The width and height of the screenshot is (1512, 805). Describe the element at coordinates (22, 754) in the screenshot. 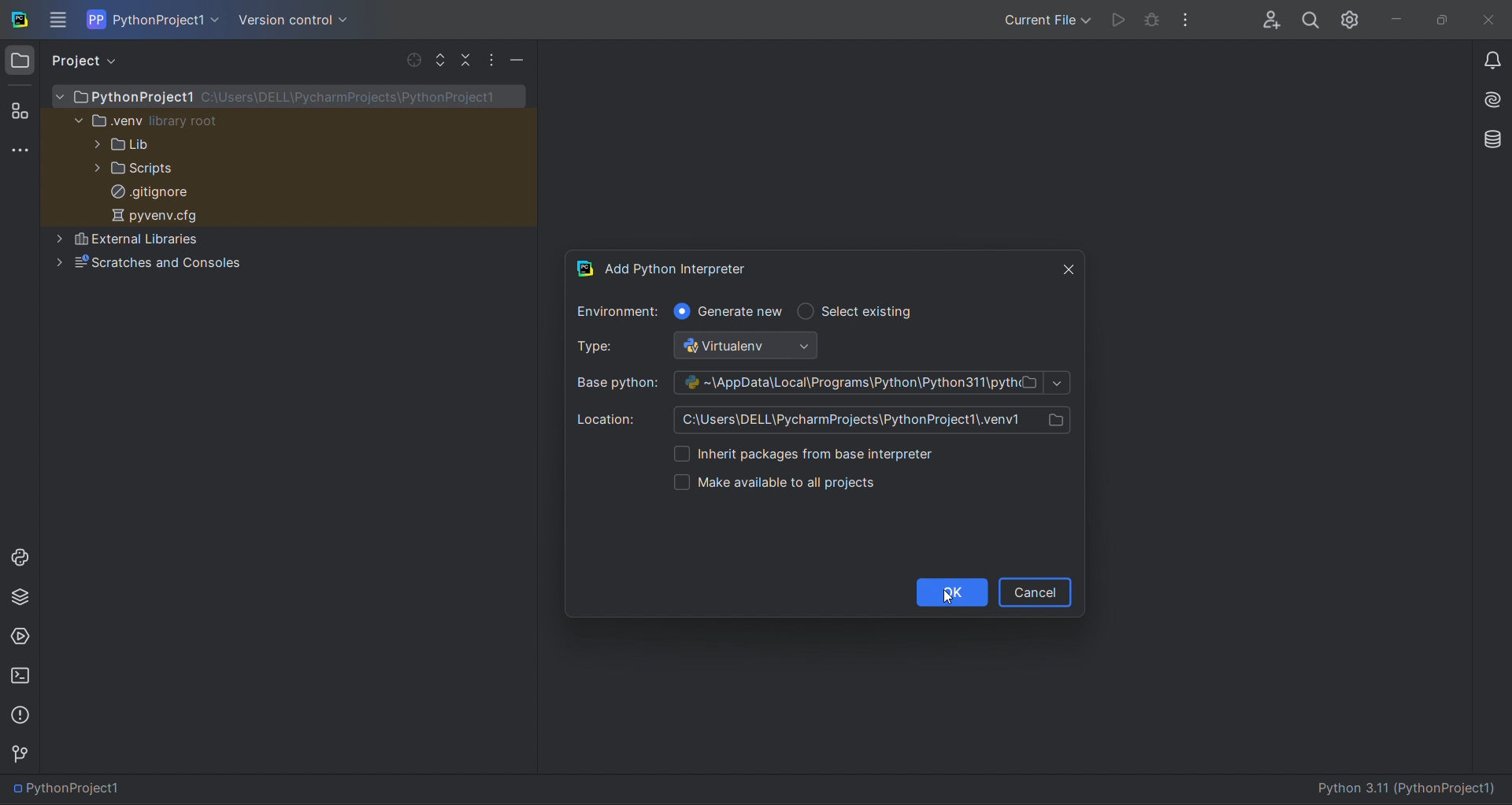

I see `version control` at that location.